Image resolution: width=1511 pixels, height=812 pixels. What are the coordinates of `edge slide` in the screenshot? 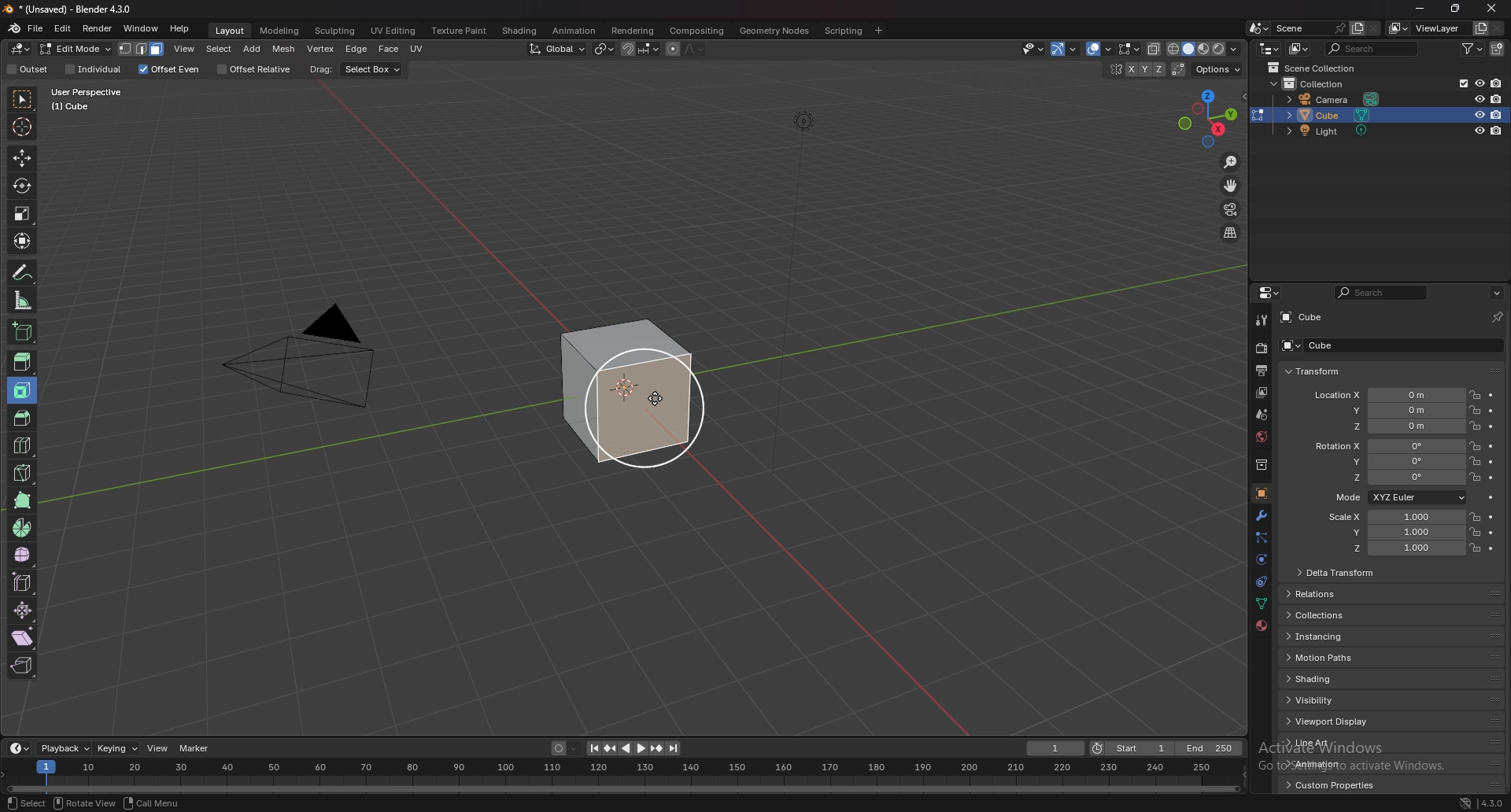 It's located at (24, 582).